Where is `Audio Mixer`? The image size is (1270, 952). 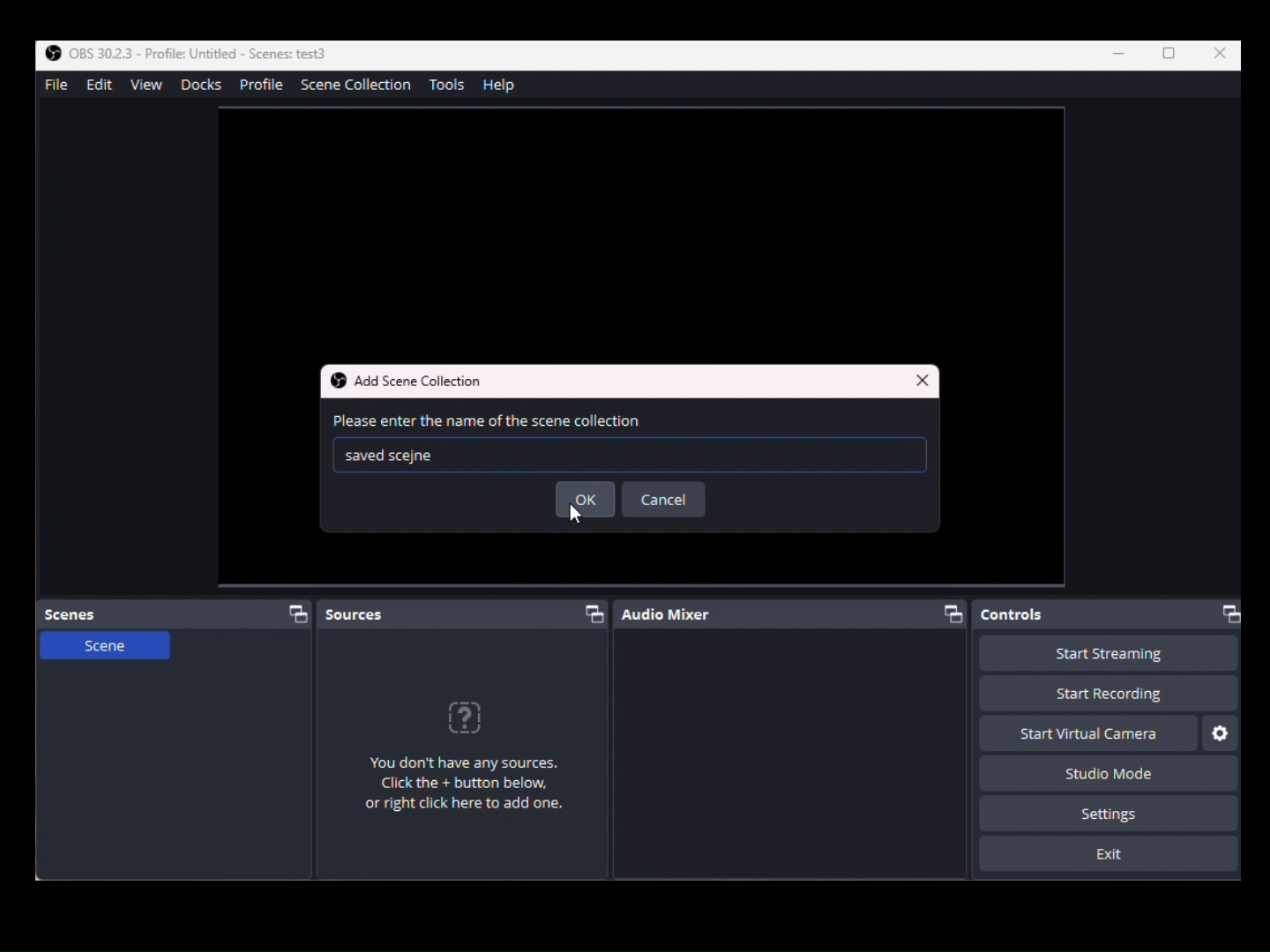
Audio Mixer is located at coordinates (796, 615).